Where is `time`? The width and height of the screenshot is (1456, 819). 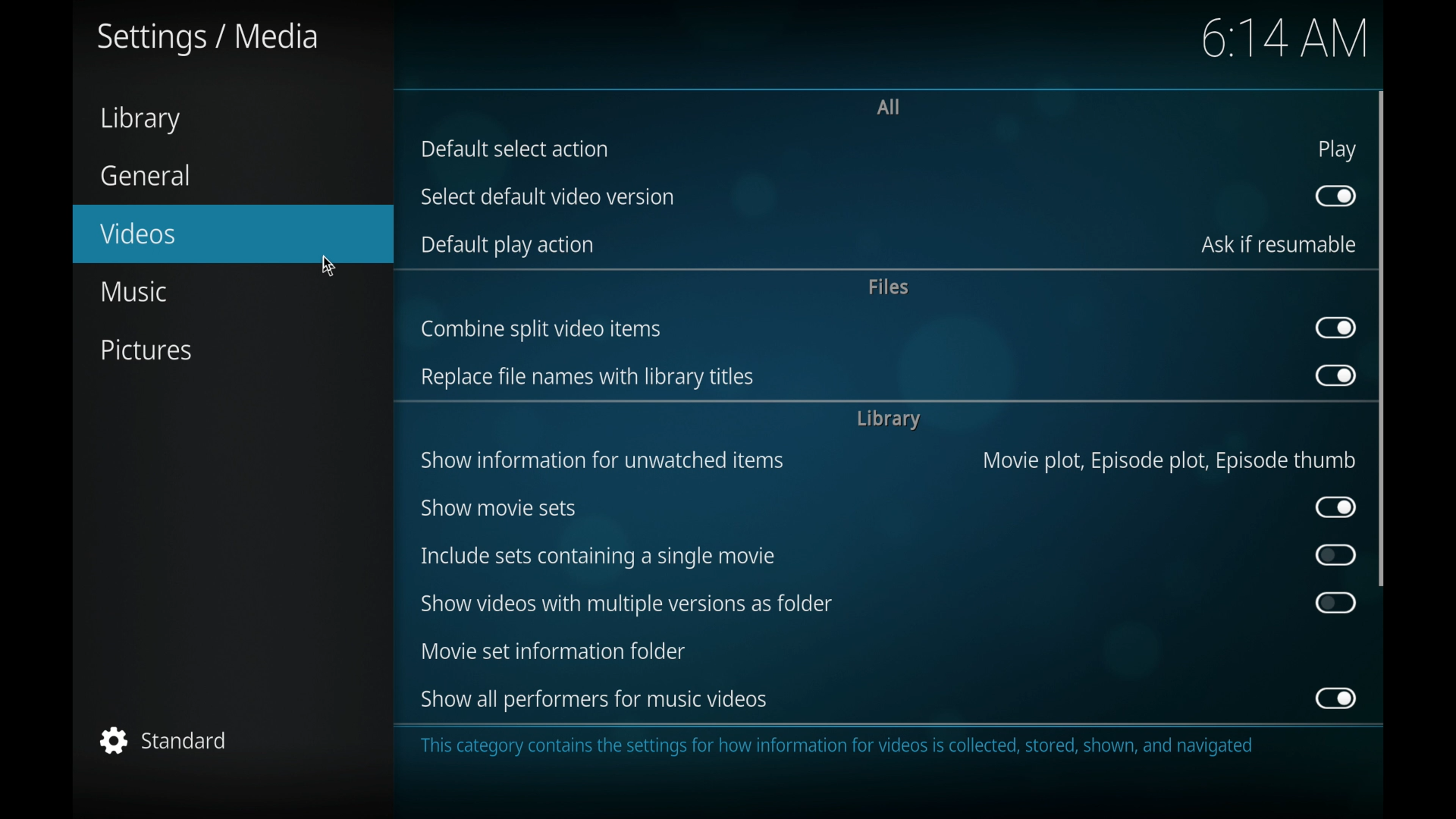 time is located at coordinates (1284, 39).